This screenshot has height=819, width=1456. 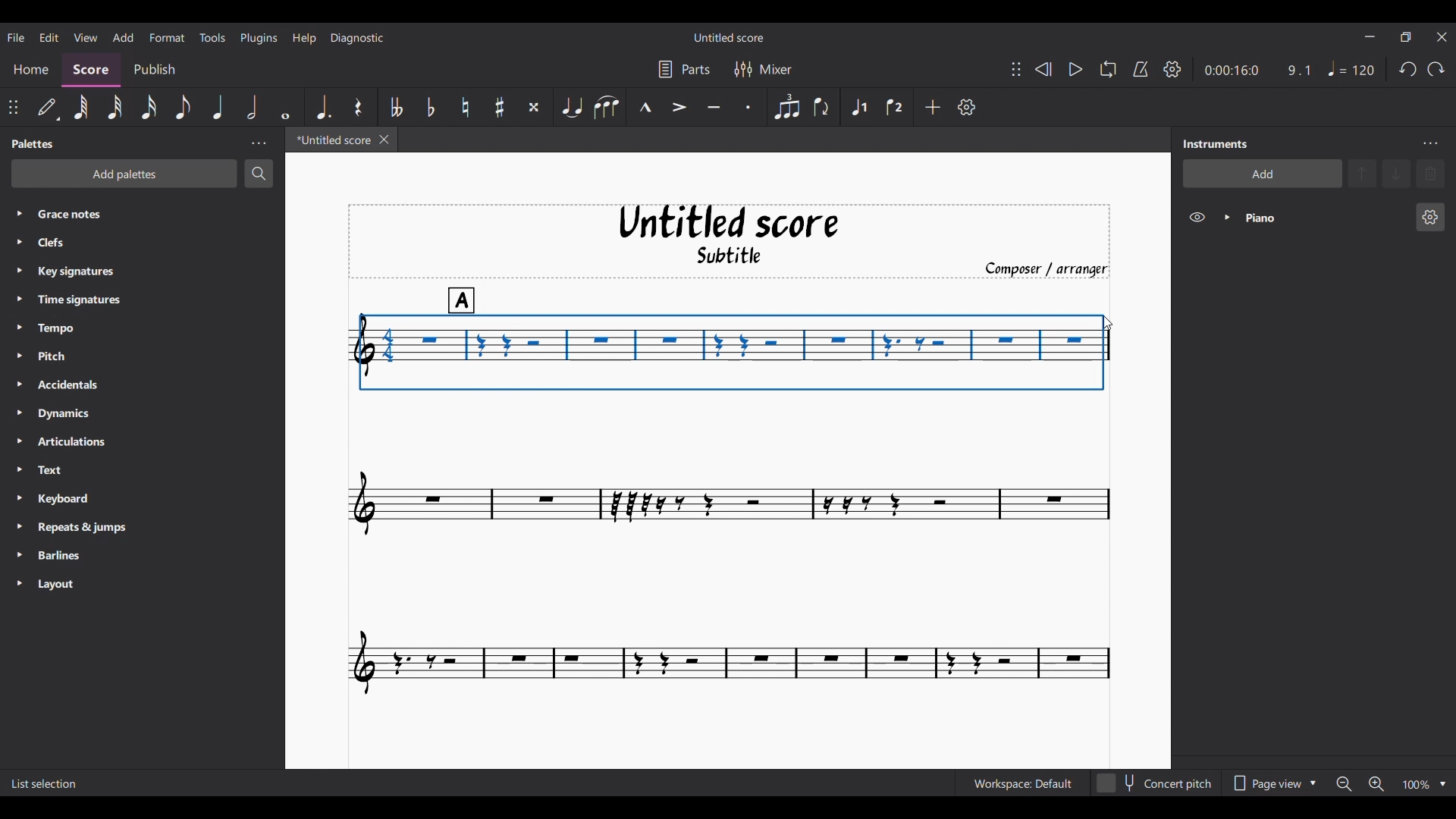 What do you see at coordinates (1141, 69) in the screenshot?
I see `Metronome` at bounding box center [1141, 69].